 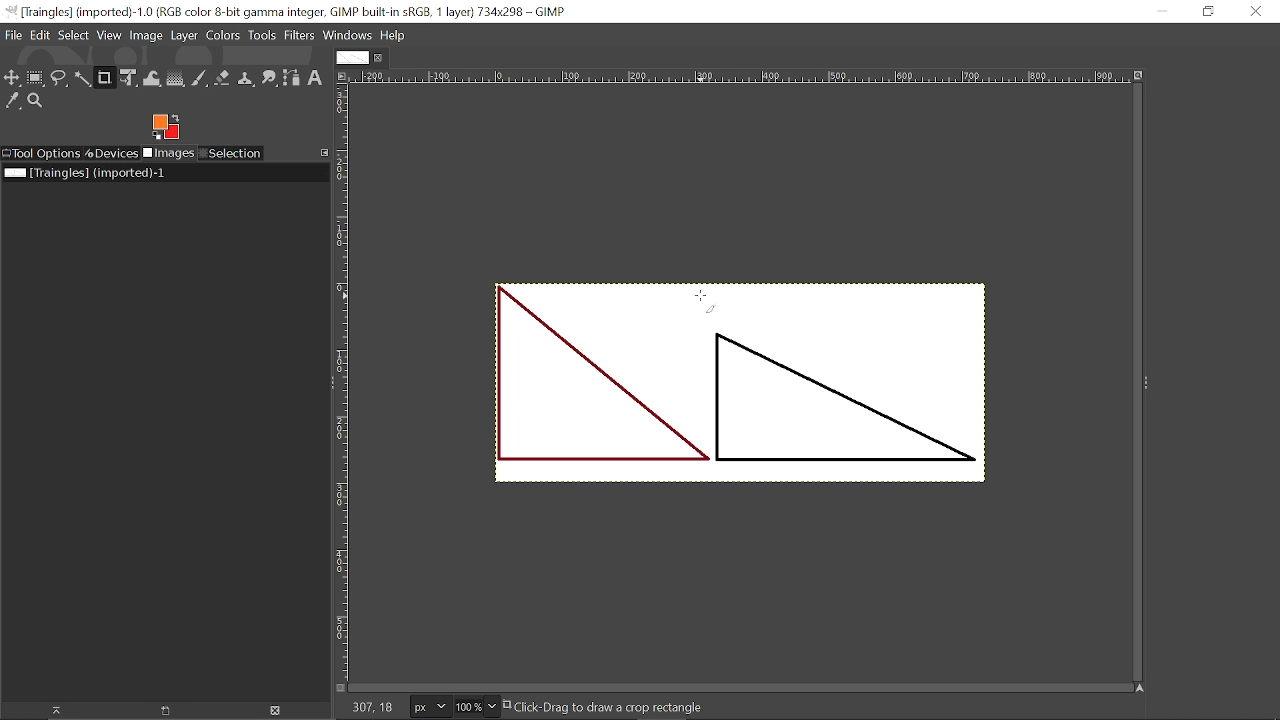 What do you see at coordinates (427, 706) in the screenshot?
I see `Current image format` at bounding box center [427, 706].